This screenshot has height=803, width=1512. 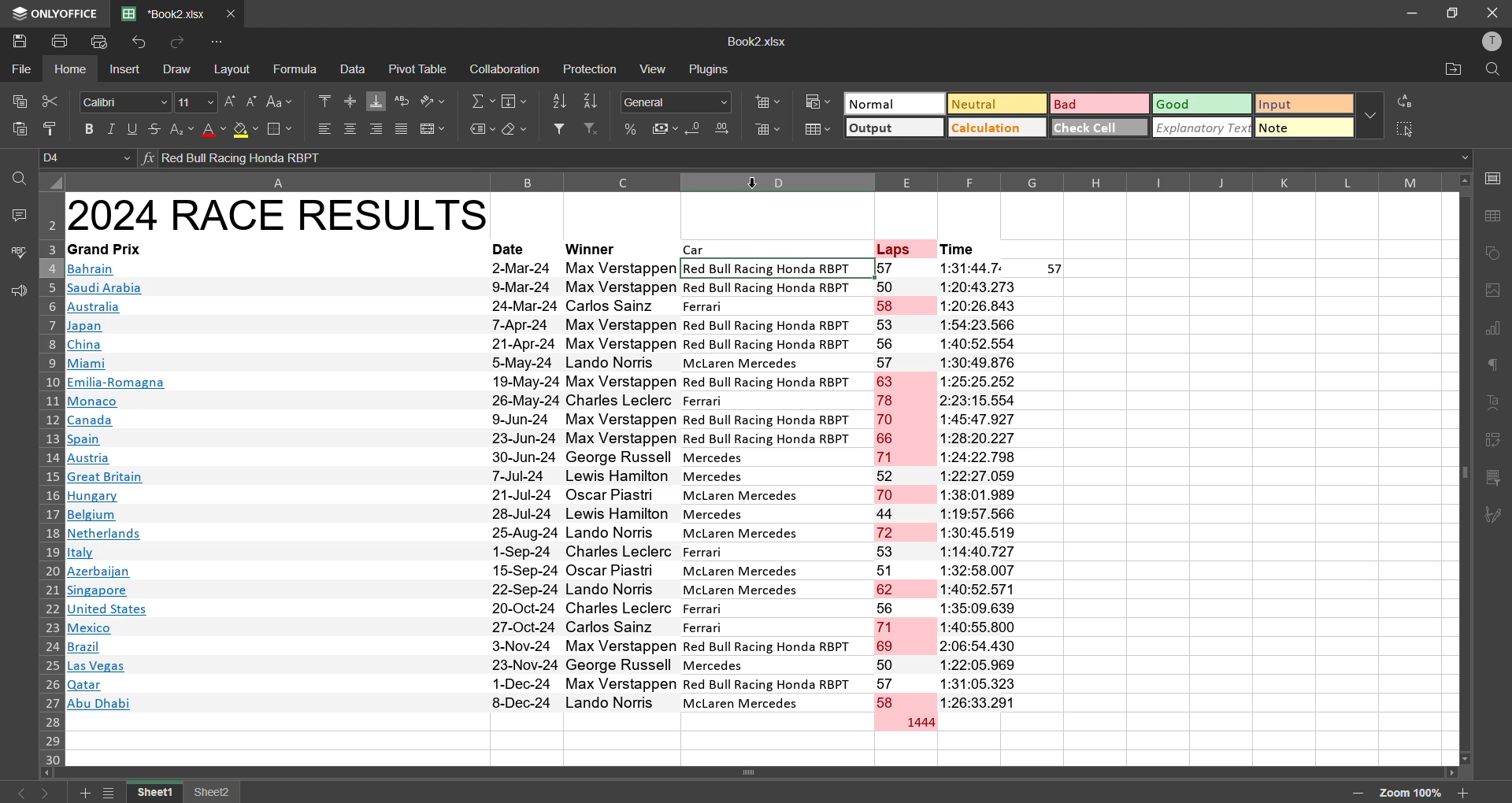 What do you see at coordinates (1495, 253) in the screenshot?
I see `shapes` at bounding box center [1495, 253].